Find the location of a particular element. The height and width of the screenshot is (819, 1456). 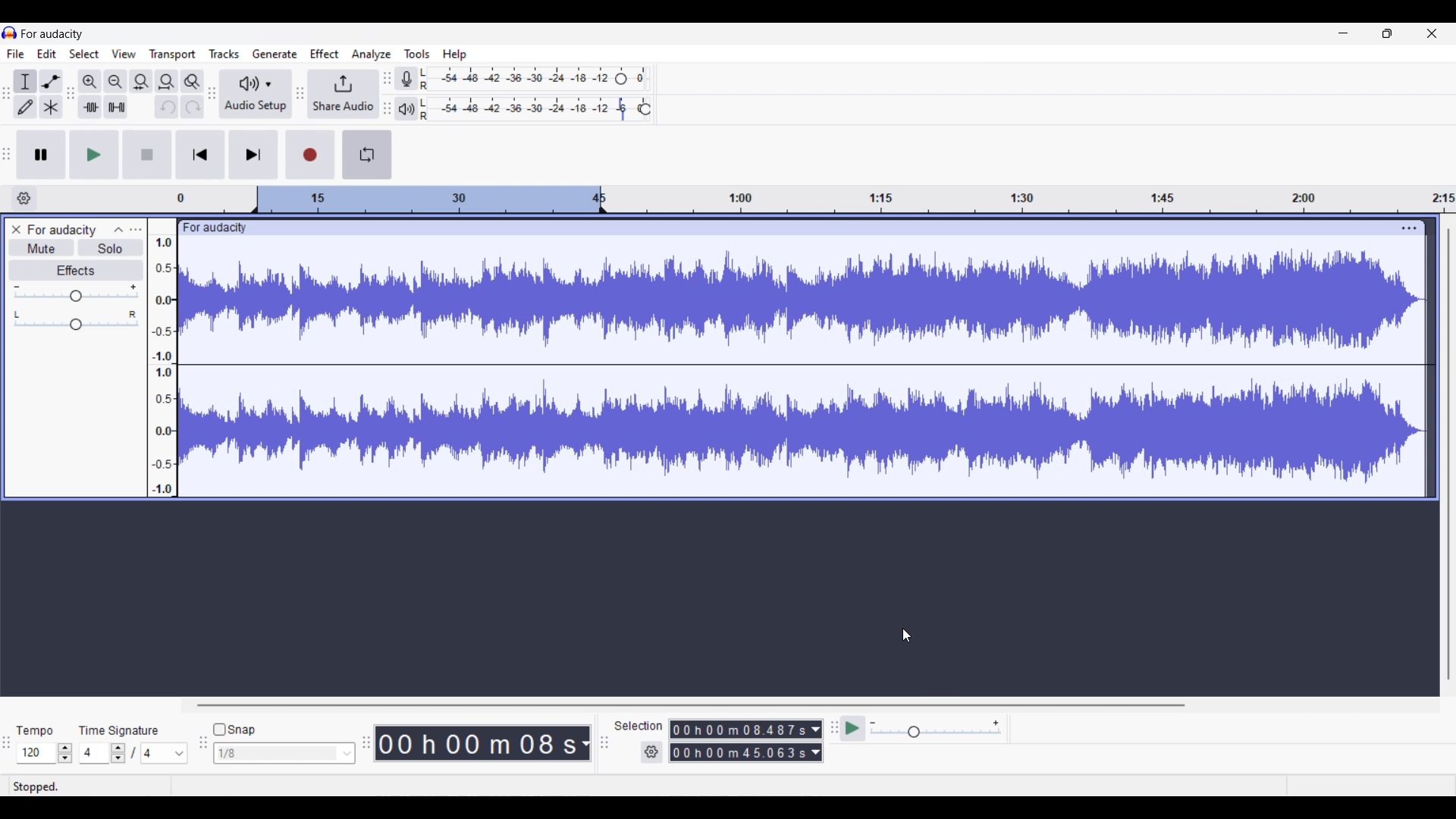

Indicates selection duration is located at coordinates (639, 726).